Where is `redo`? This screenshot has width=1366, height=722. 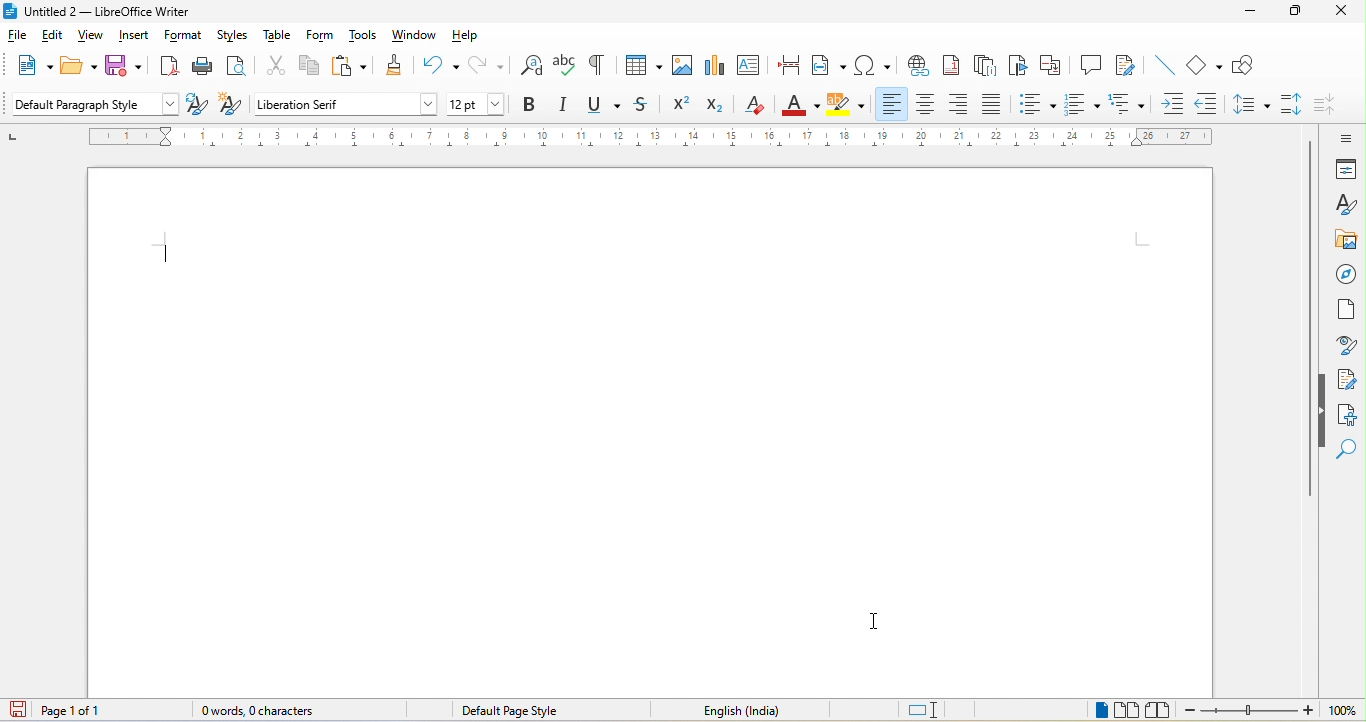 redo is located at coordinates (488, 68).